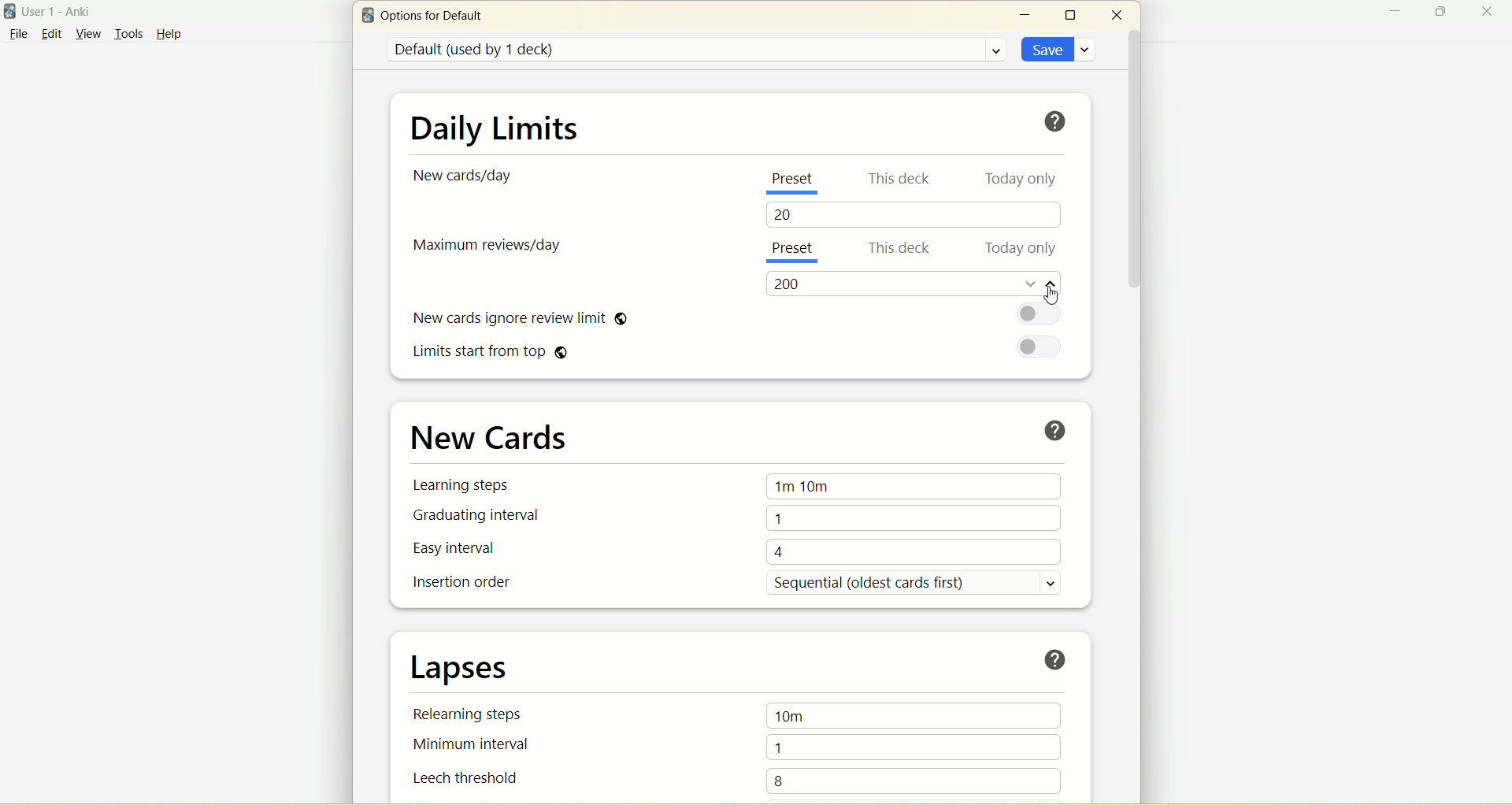 Image resolution: width=1512 pixels, height=805 pixels. Describe the element at coordinates (366, 15) in the screenshot. I see `logo` at that location.